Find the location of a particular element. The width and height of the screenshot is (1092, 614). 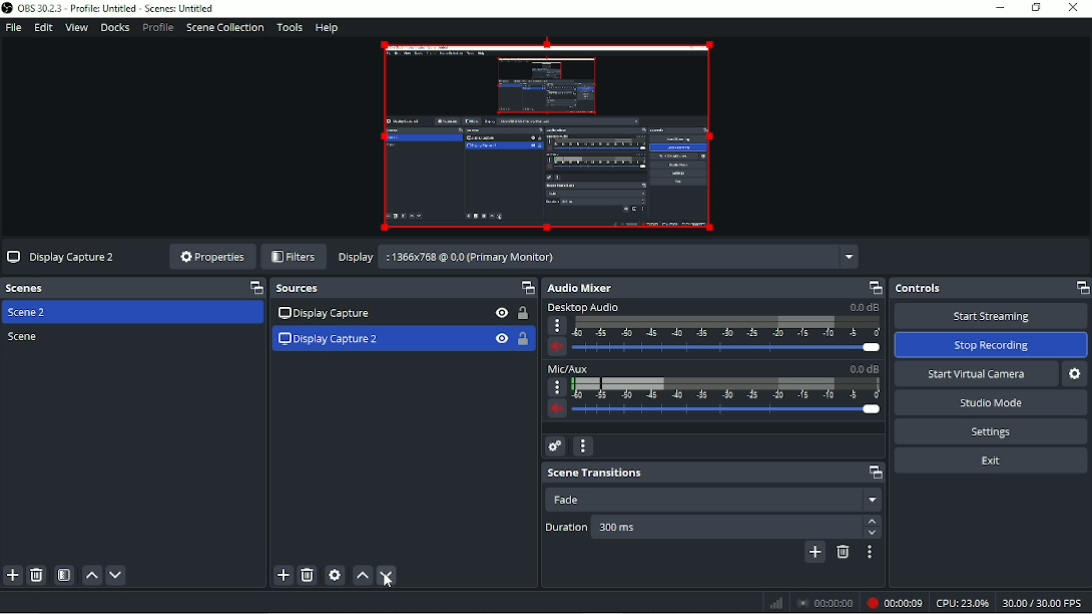

Start virtual camera is located at coordinates (973, 375).